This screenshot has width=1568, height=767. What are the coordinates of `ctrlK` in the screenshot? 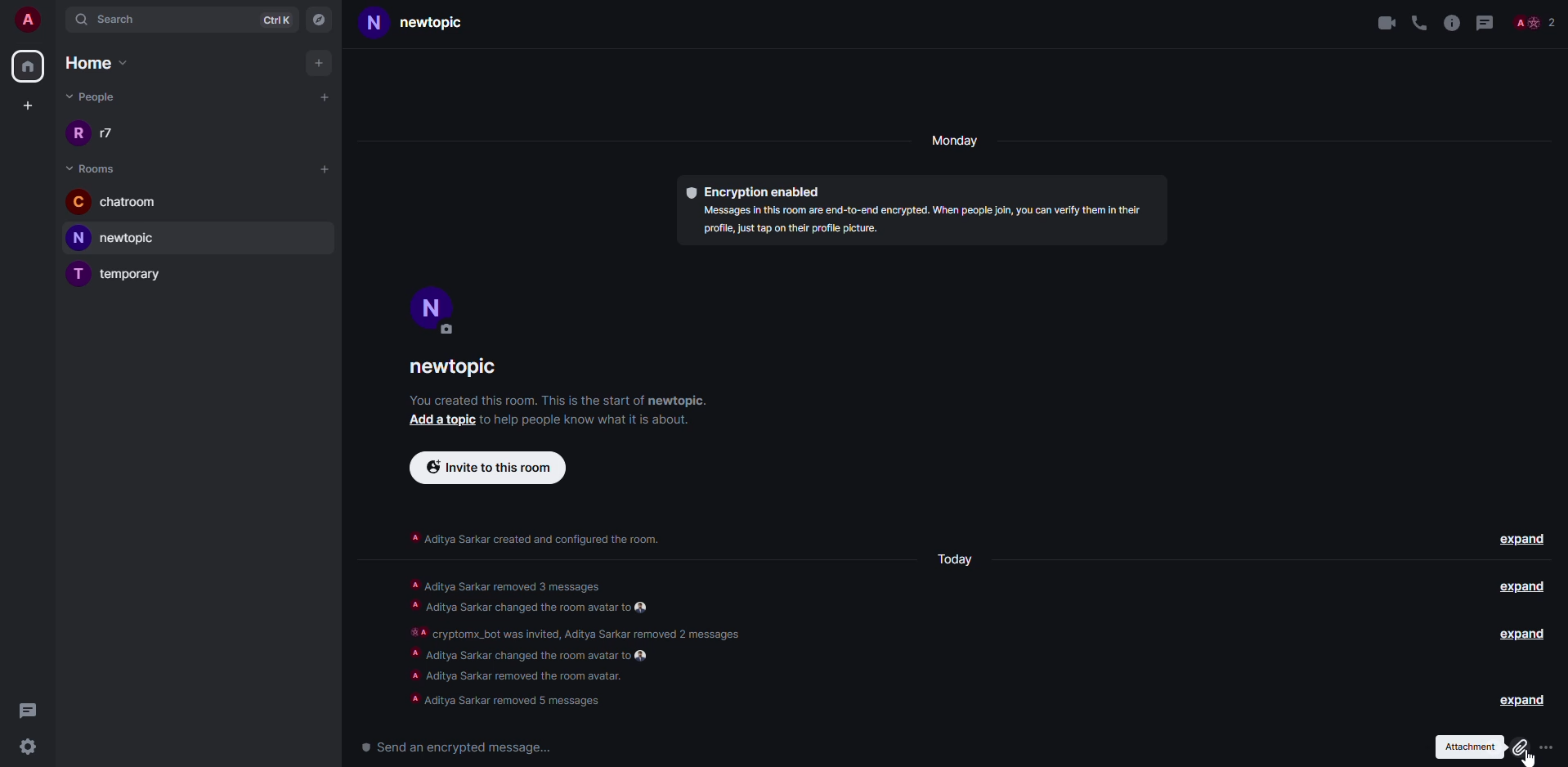 It's located at (279, 19).